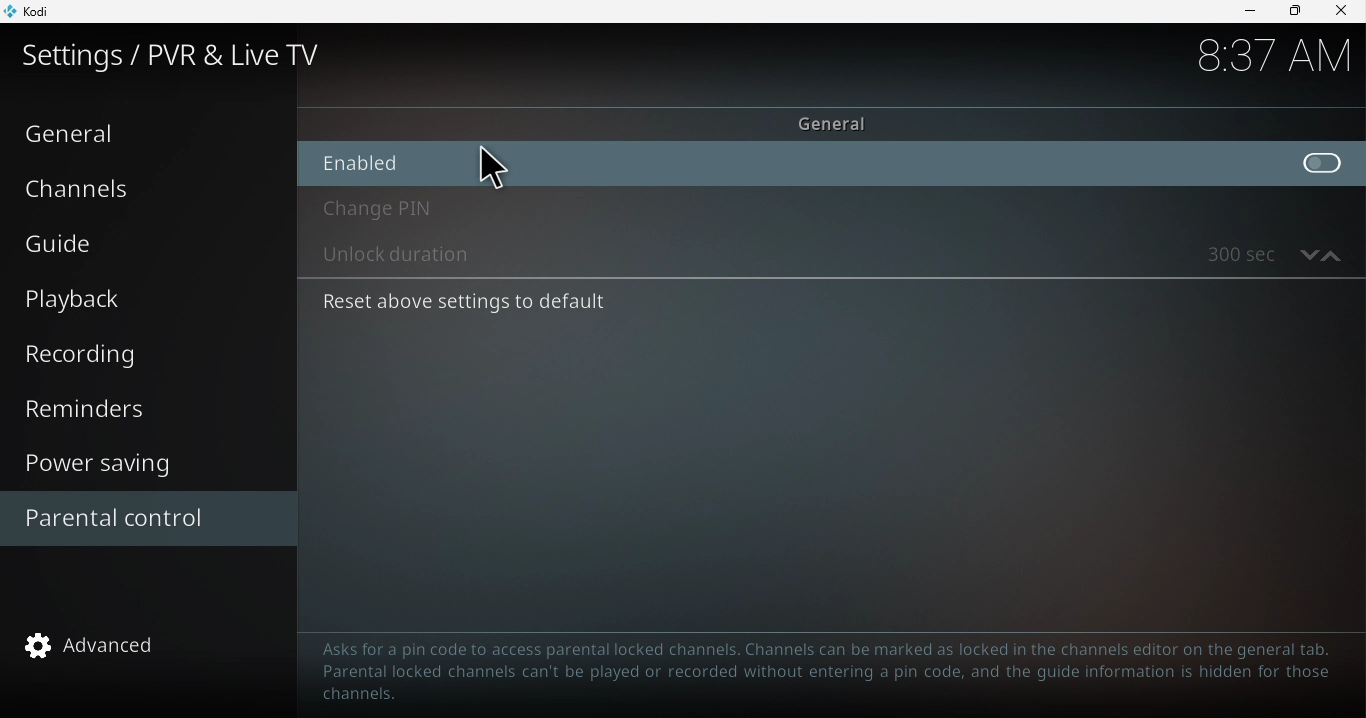 The height and width of the screenshot is (718, 1366). What do you see at coordinates (487, 164) in the screenshot?
I see `cursor` at bounding box center [487, 164].